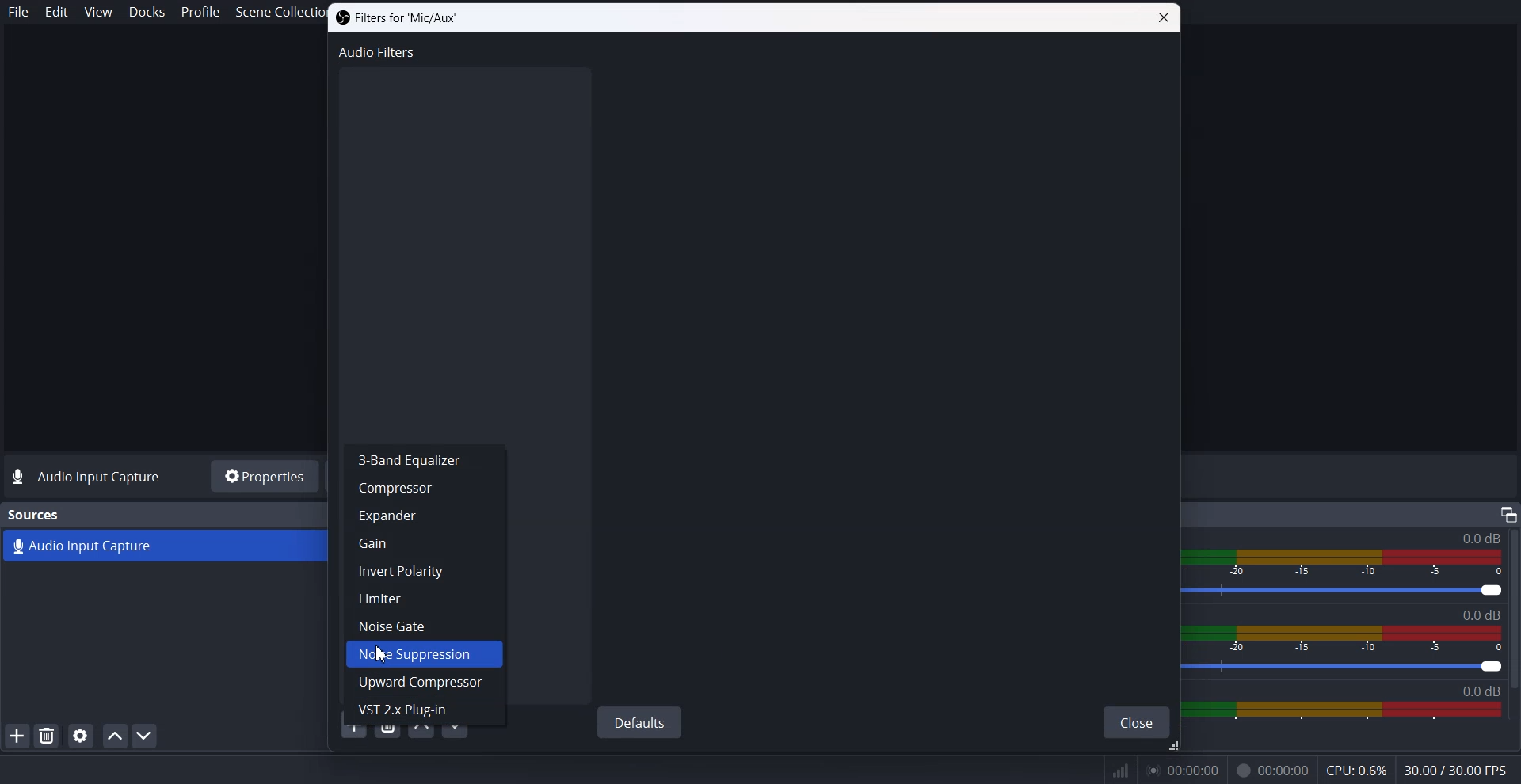 The width and height of the screenshot is (1521, 784). I want to click on Edit, so click(57, 12).